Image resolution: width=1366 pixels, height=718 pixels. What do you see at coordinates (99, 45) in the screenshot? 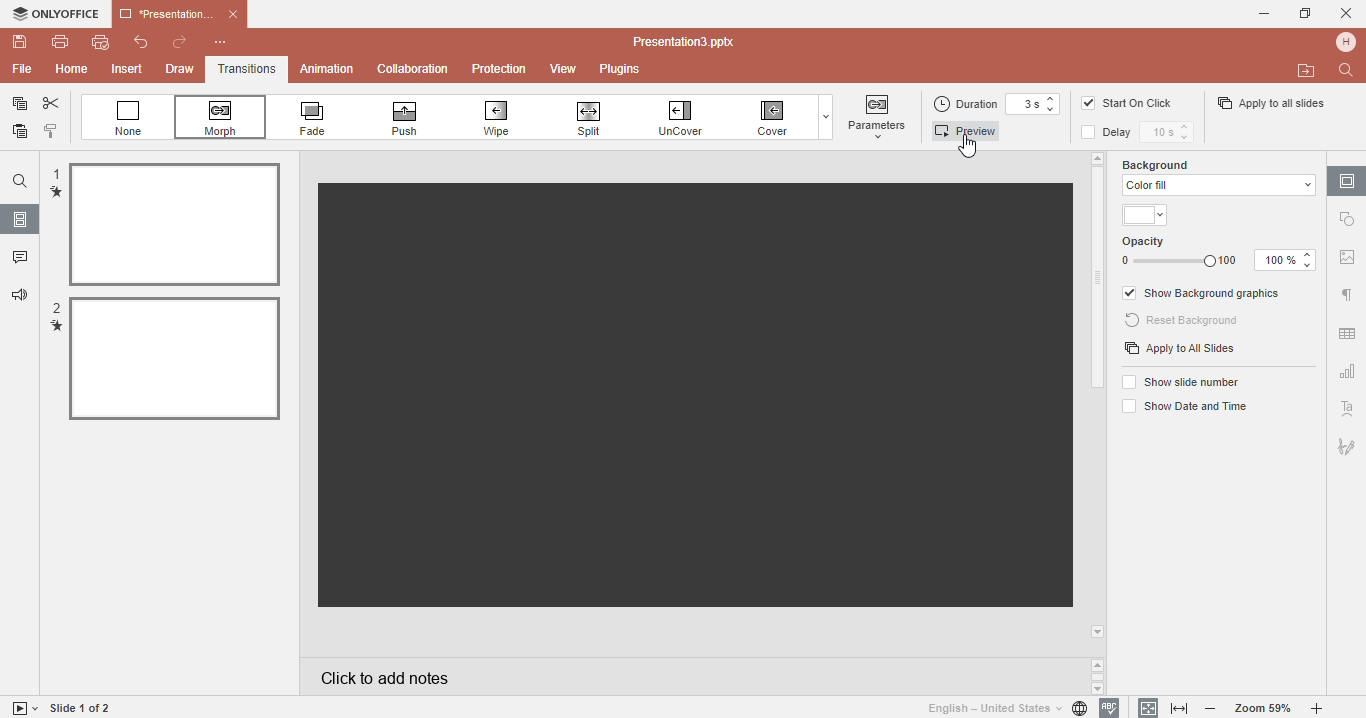
I see `Quick print` at bounding box center [99, 45].